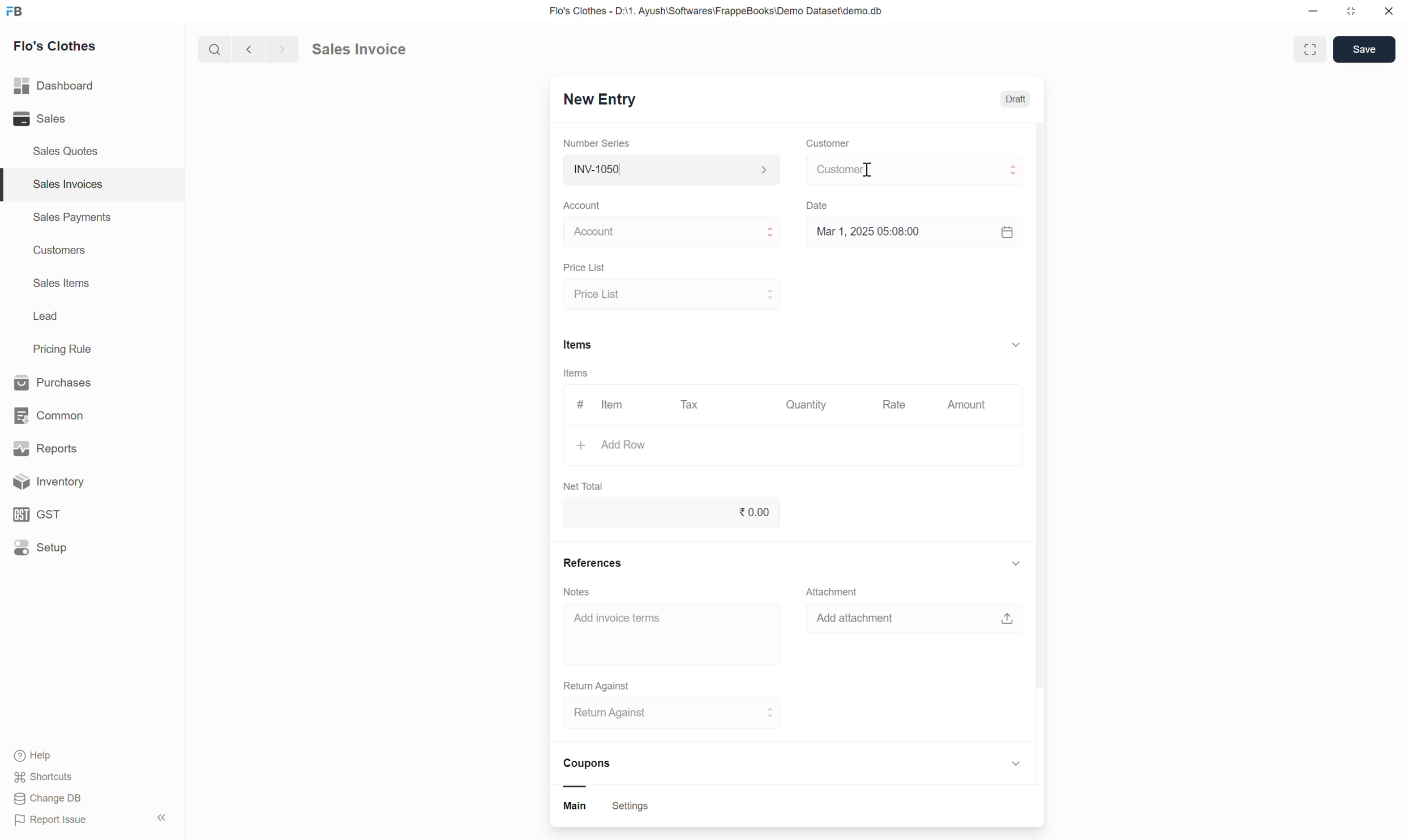 The image size is (1408, 840). What do you see at coordinates (580, 808) in the screenshot?
I see `main` at bounding box center [580, 808].